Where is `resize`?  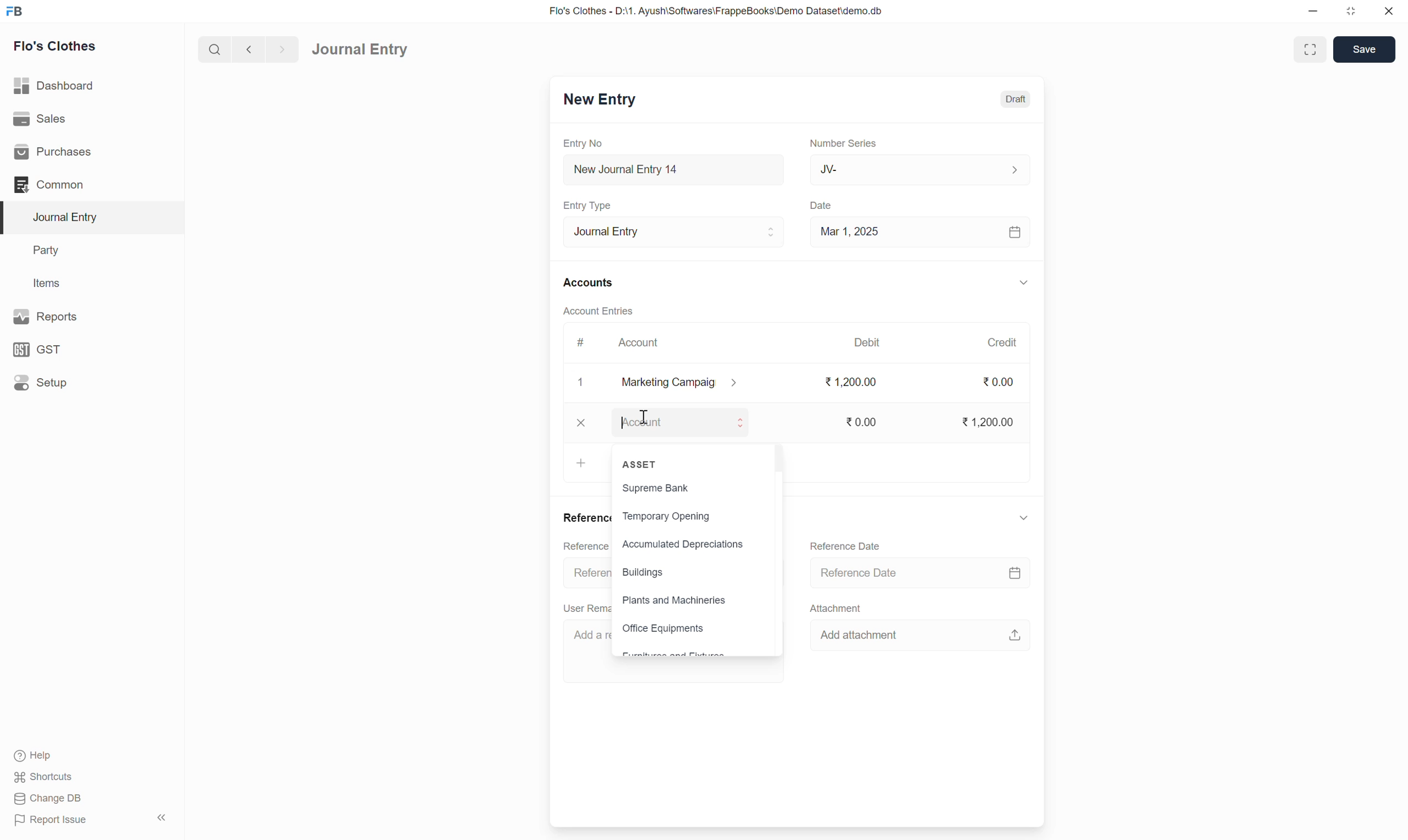 resize is located at coordinates (1349, 11).